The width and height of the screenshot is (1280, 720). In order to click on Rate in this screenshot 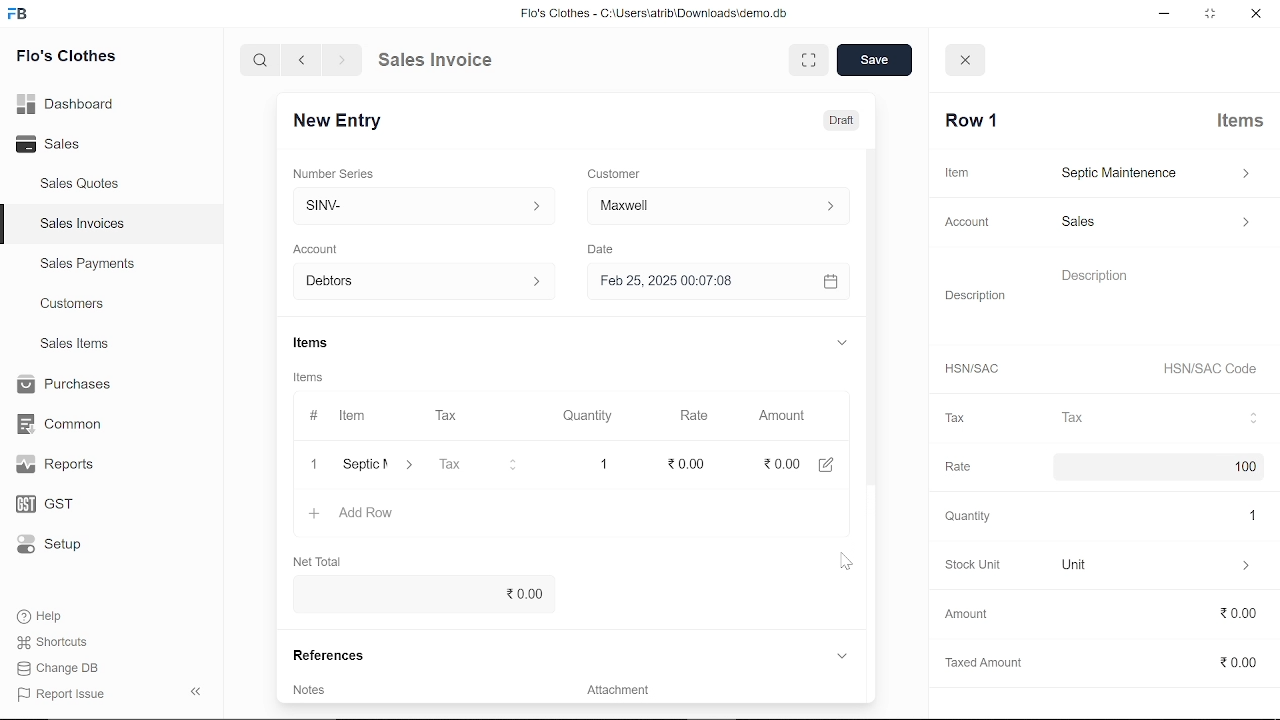, I will do `click(954, 464)`.